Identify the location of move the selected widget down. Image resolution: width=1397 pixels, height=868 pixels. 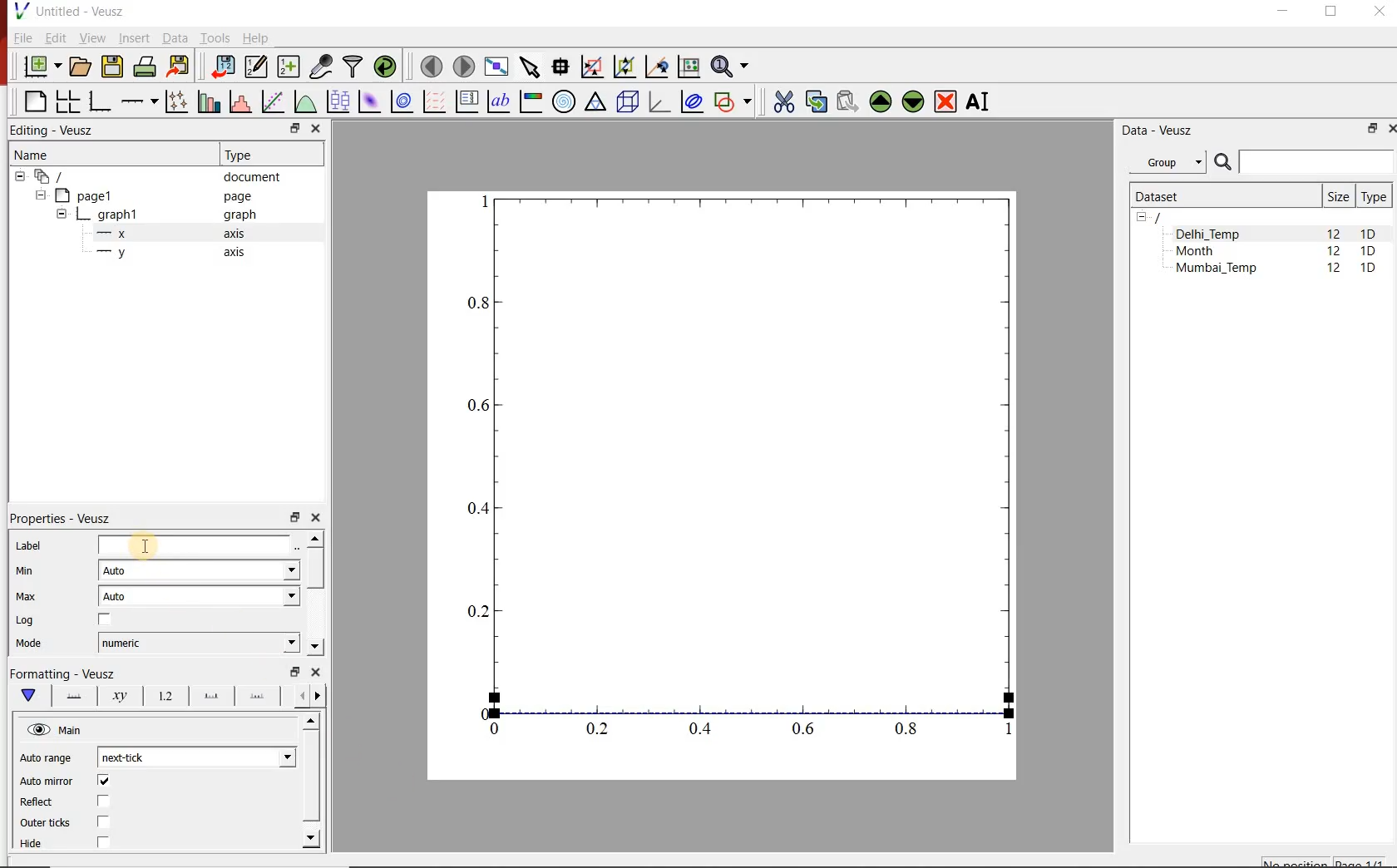
(913, 102).